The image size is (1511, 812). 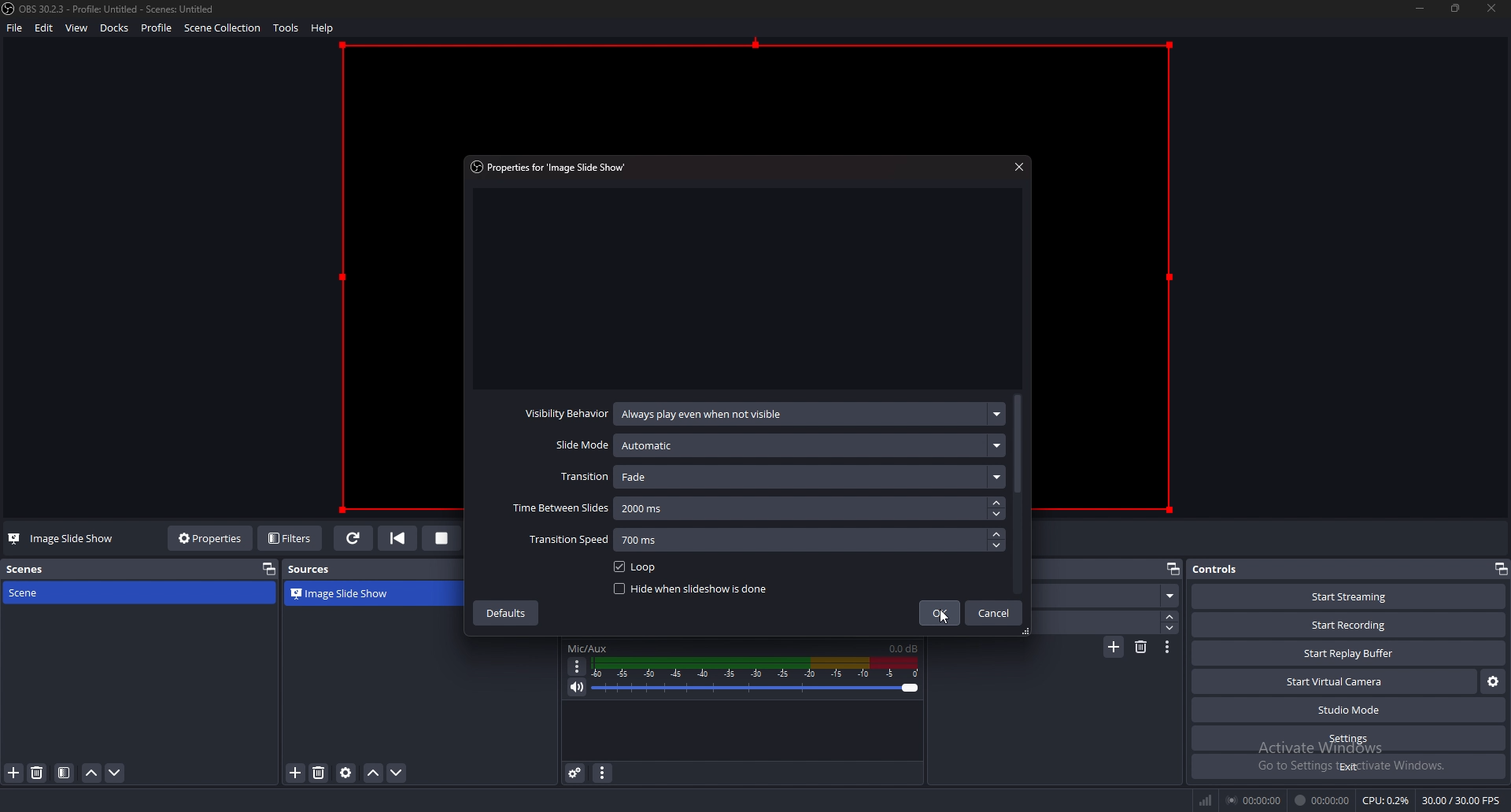 I want to click on add scene, so click(x=15, y=773).